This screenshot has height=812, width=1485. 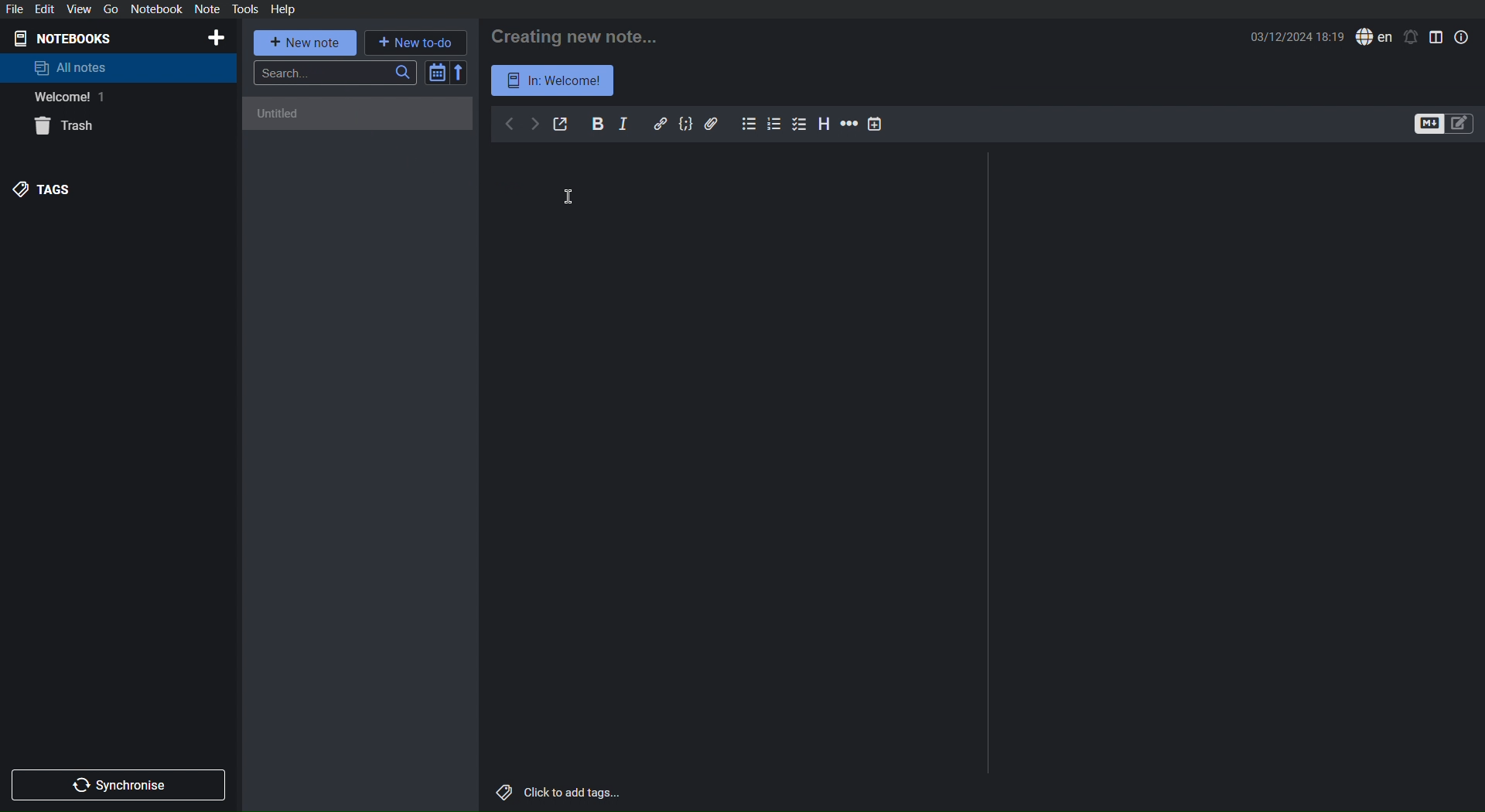 I want to click on Code, so click(x=686, y=124).